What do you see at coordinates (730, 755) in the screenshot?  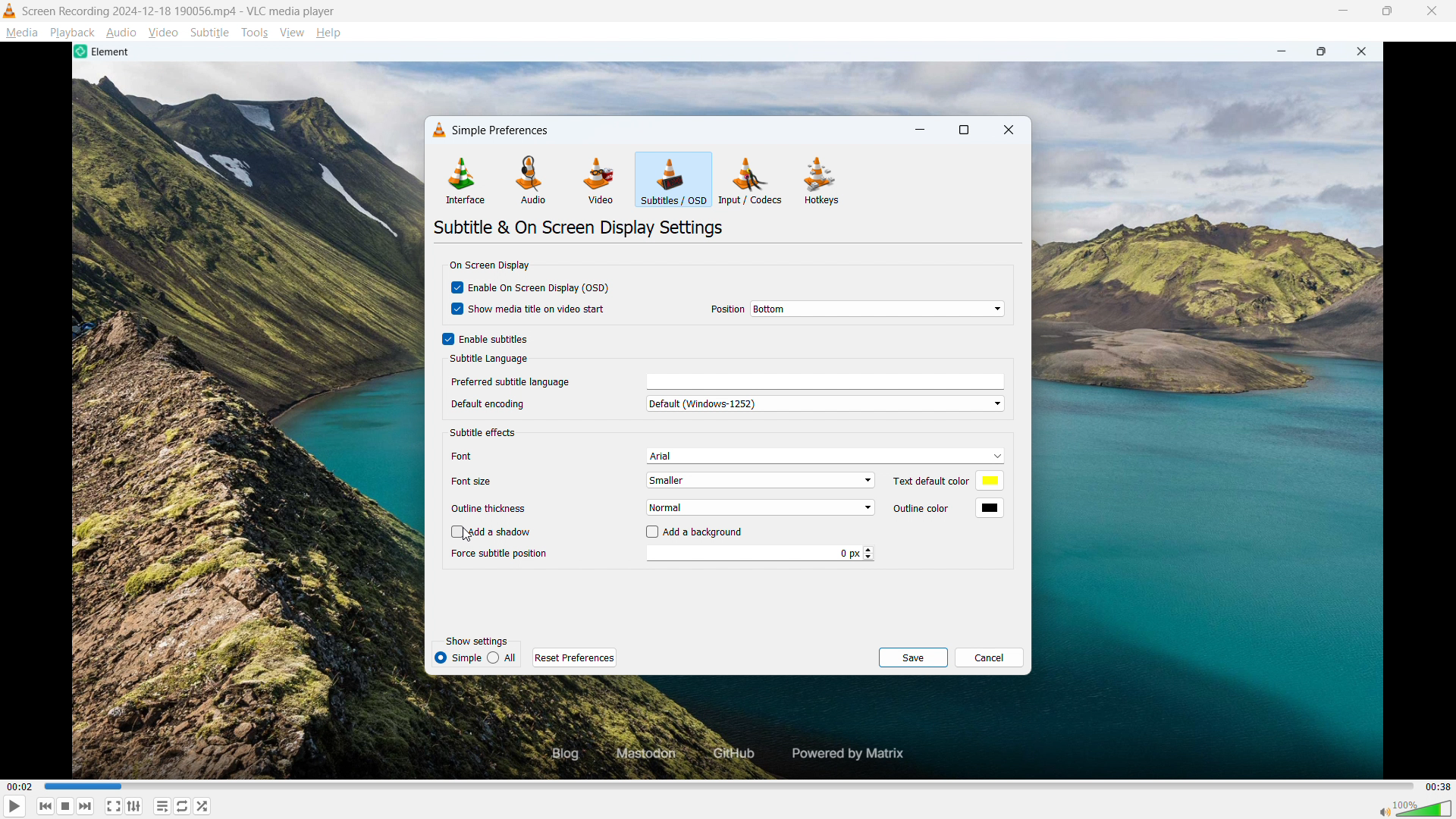 I see `GitHub` at bounding box center [730, 755].